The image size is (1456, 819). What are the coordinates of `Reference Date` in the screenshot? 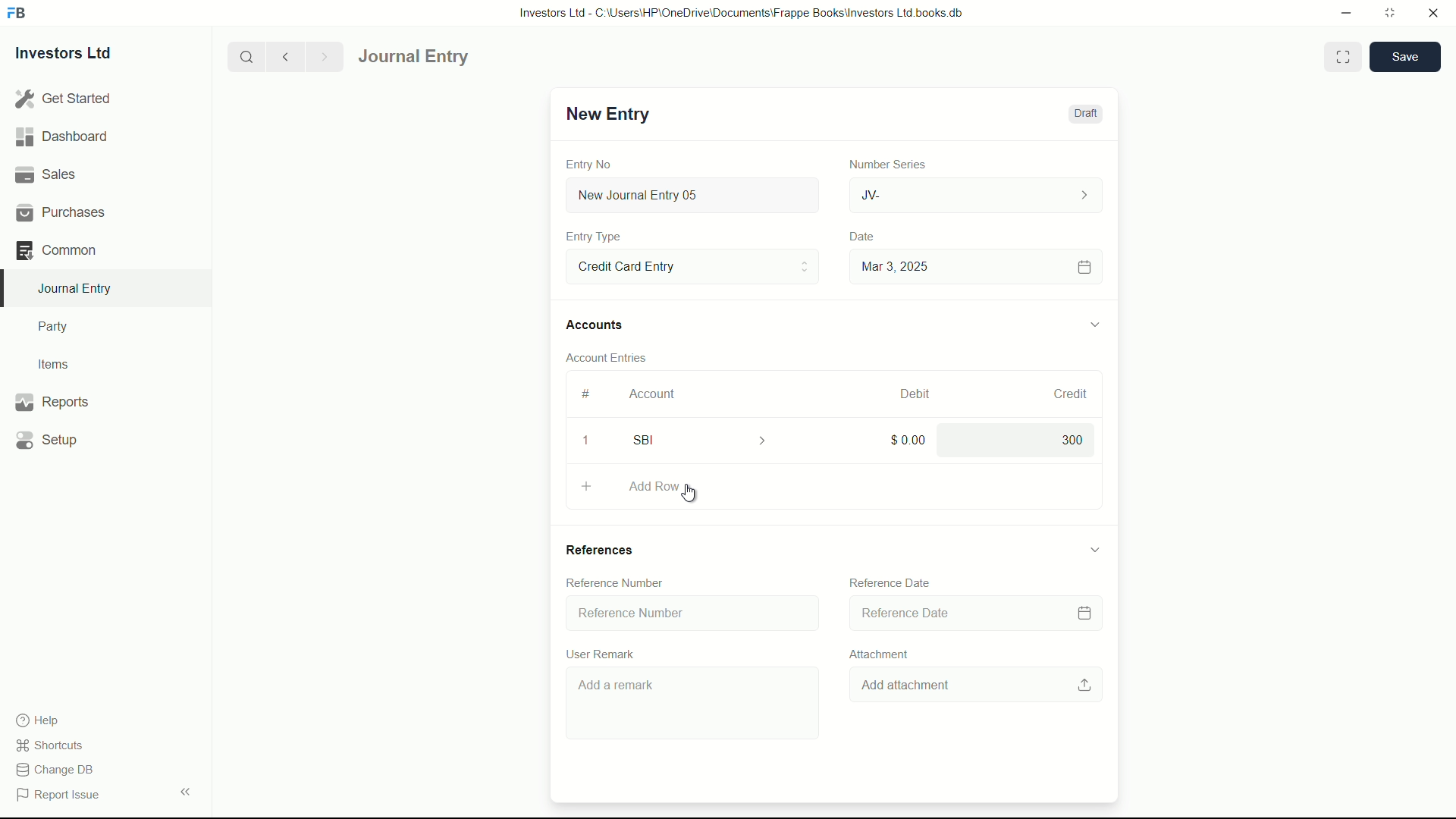 It's located at (890, 582).